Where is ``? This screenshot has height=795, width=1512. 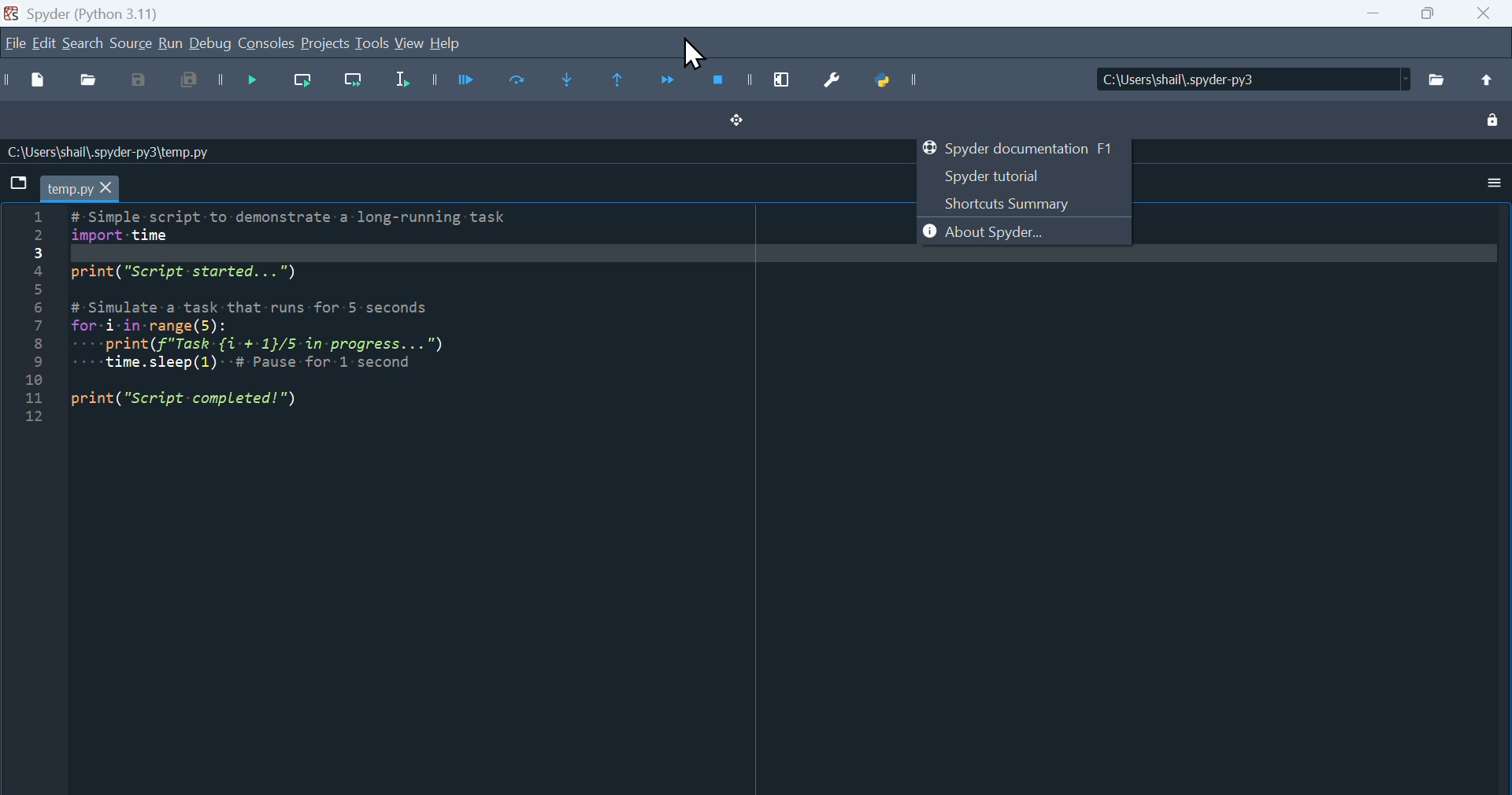  is located at coordinates (1424, 17).